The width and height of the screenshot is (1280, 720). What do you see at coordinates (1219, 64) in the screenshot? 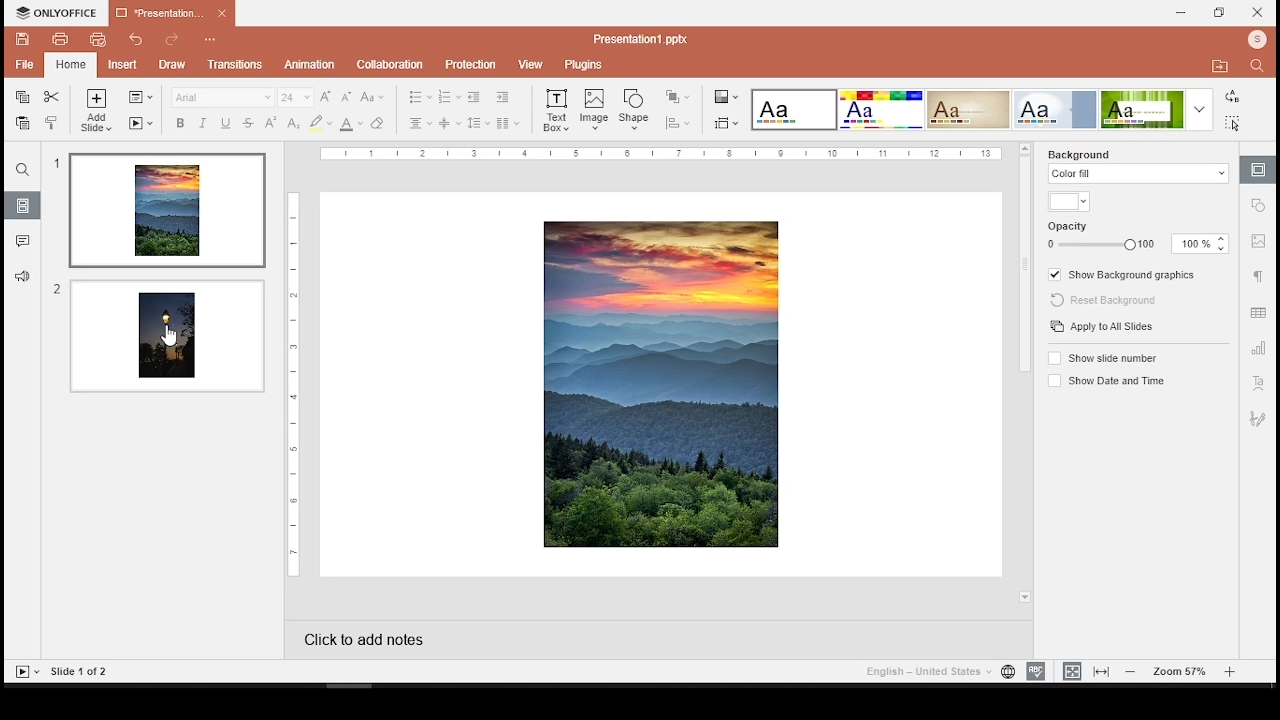
I see `move` at bounding box center [1219, 64].